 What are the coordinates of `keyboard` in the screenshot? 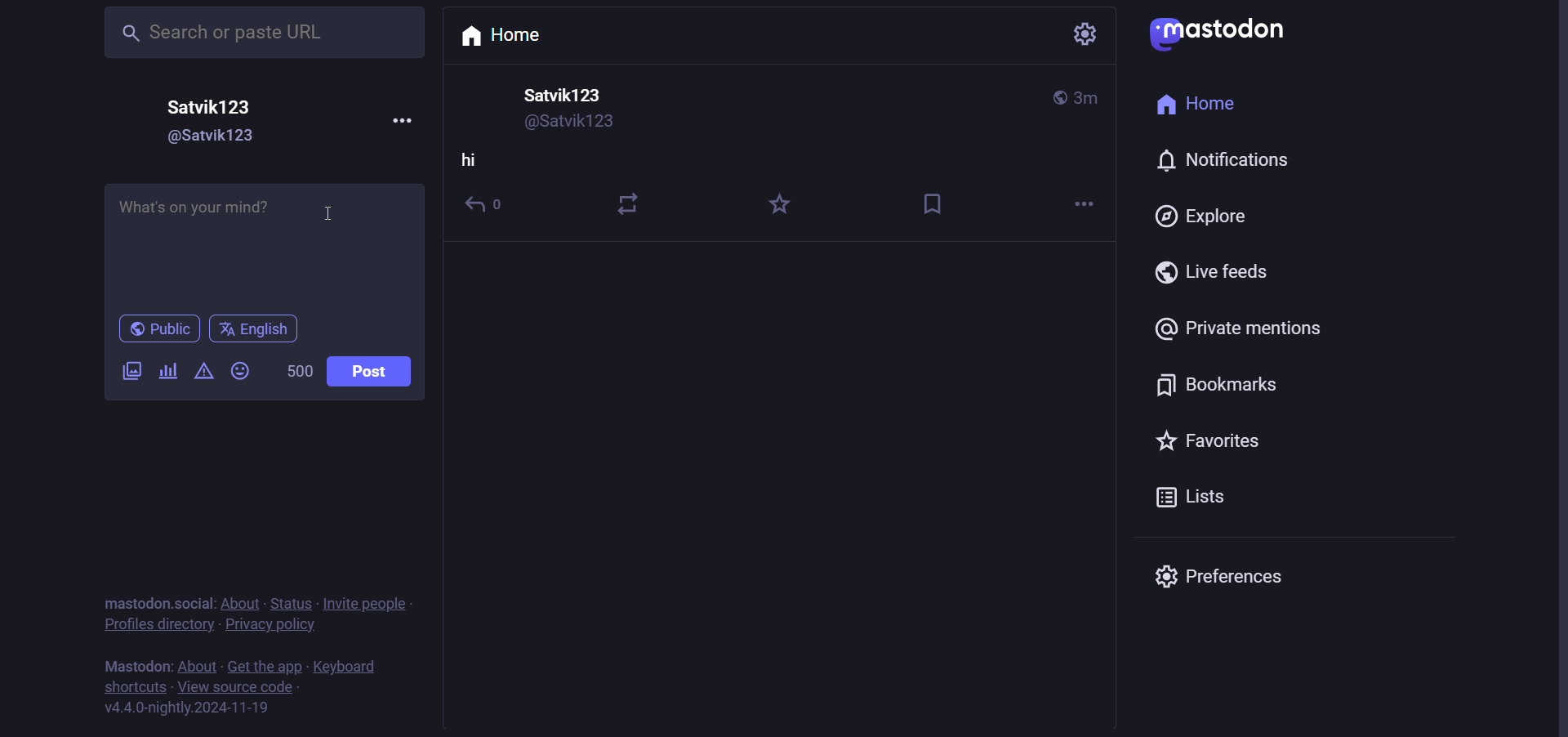 It's located at (347, 668).